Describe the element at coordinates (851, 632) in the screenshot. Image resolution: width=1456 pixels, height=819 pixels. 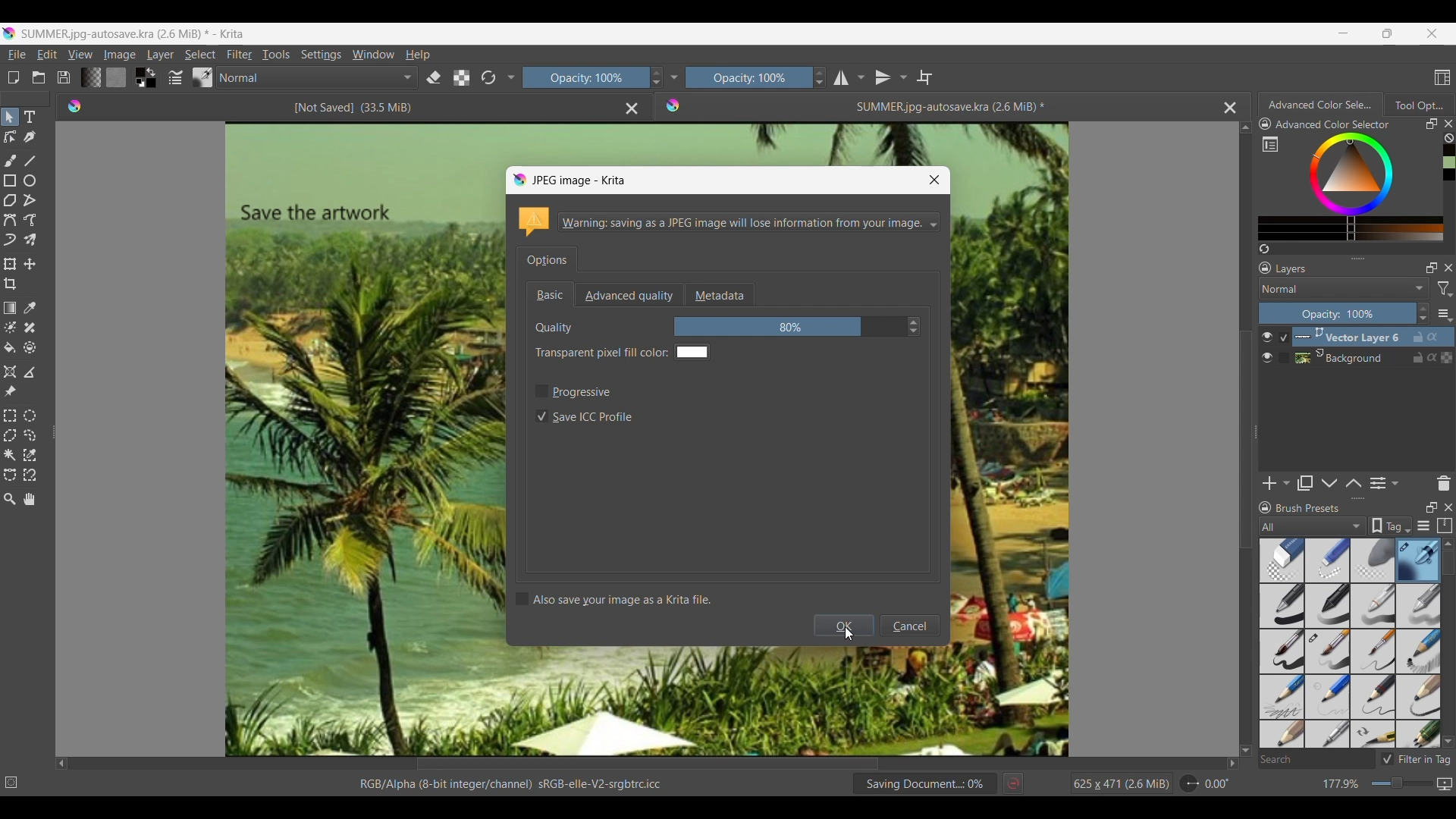
I see `cursor` at that location.